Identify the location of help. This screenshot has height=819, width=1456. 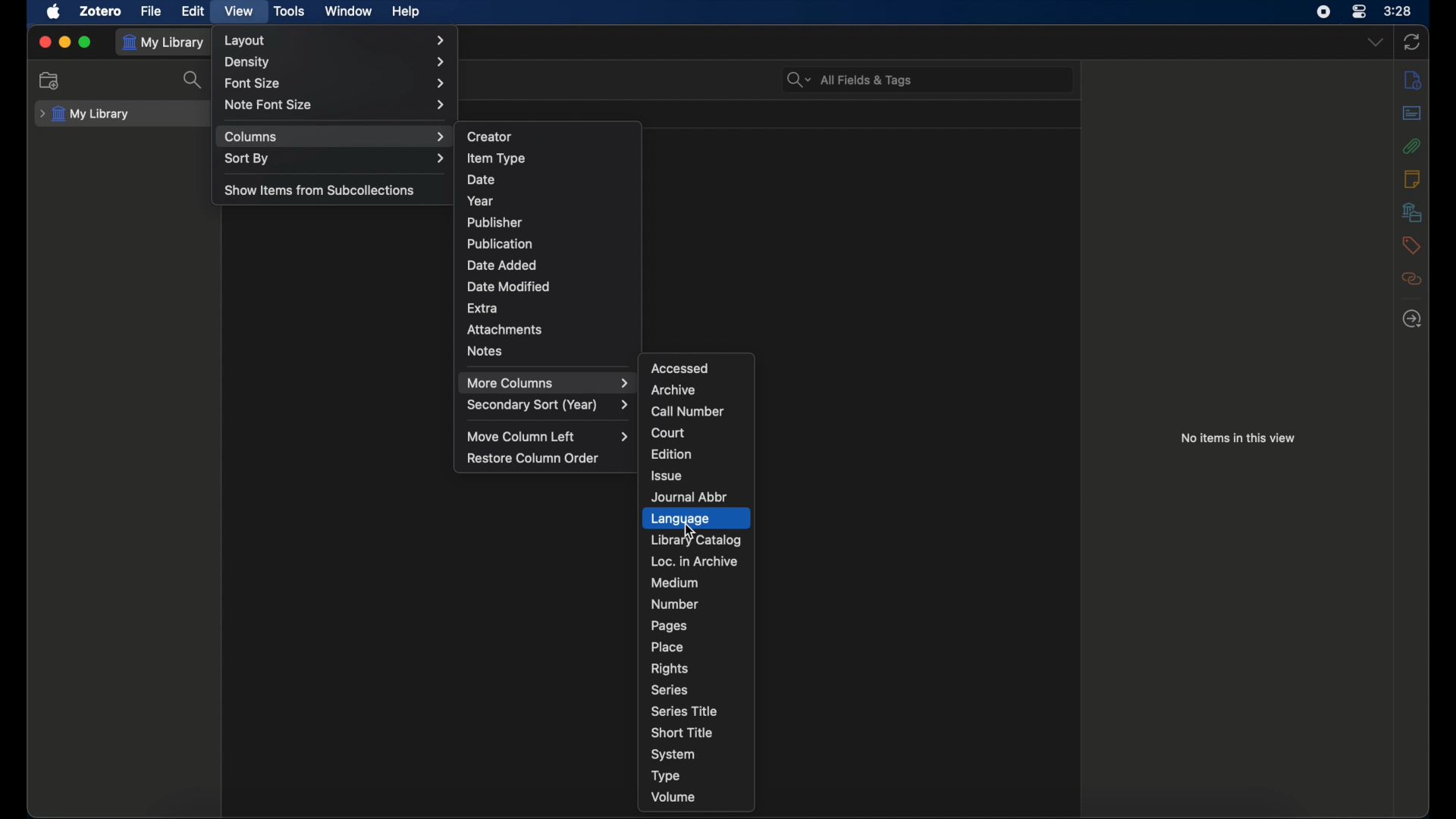
(406, 12).